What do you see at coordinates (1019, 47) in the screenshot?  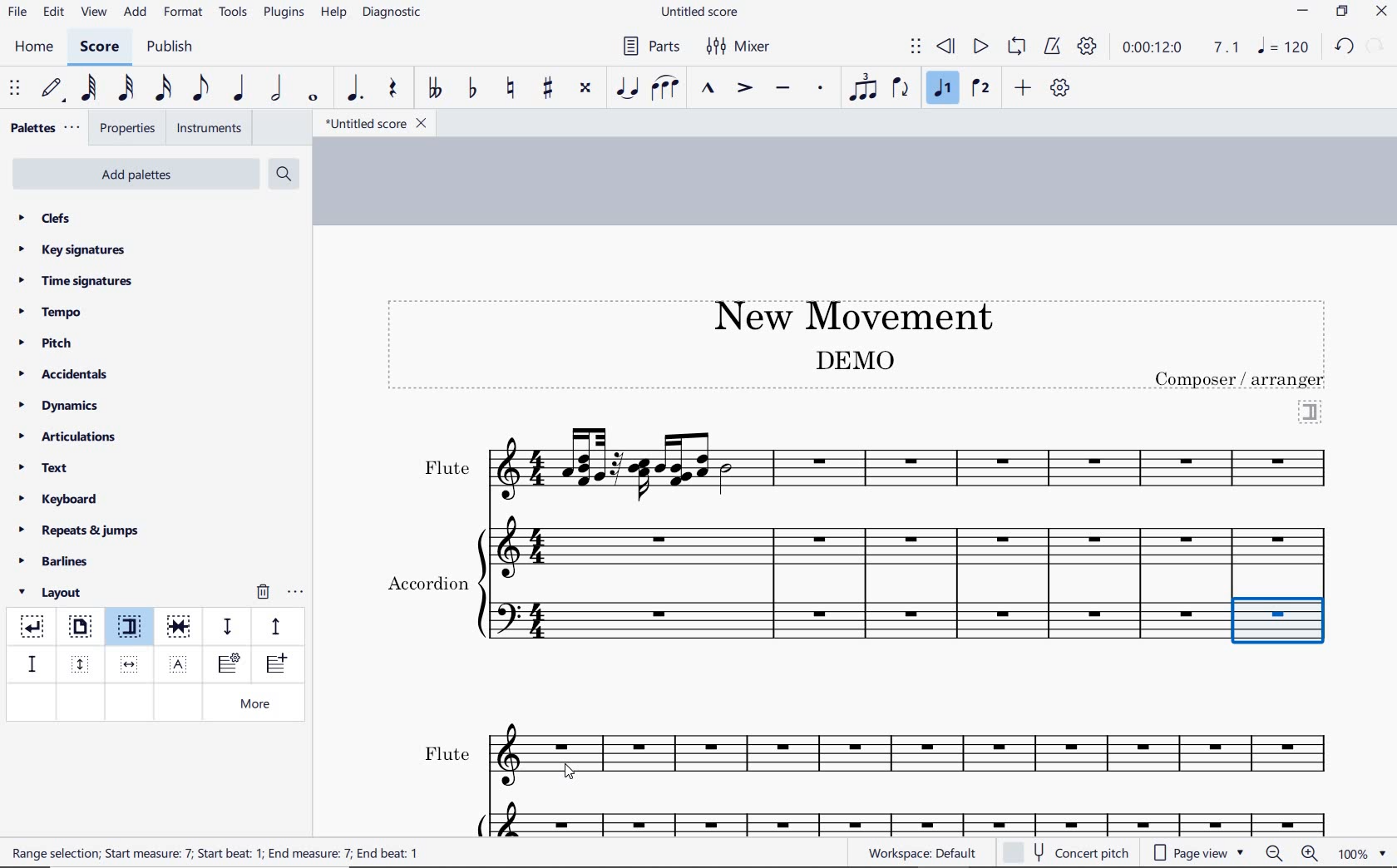 I see `loop playback` at bounding box center [1019, 47].